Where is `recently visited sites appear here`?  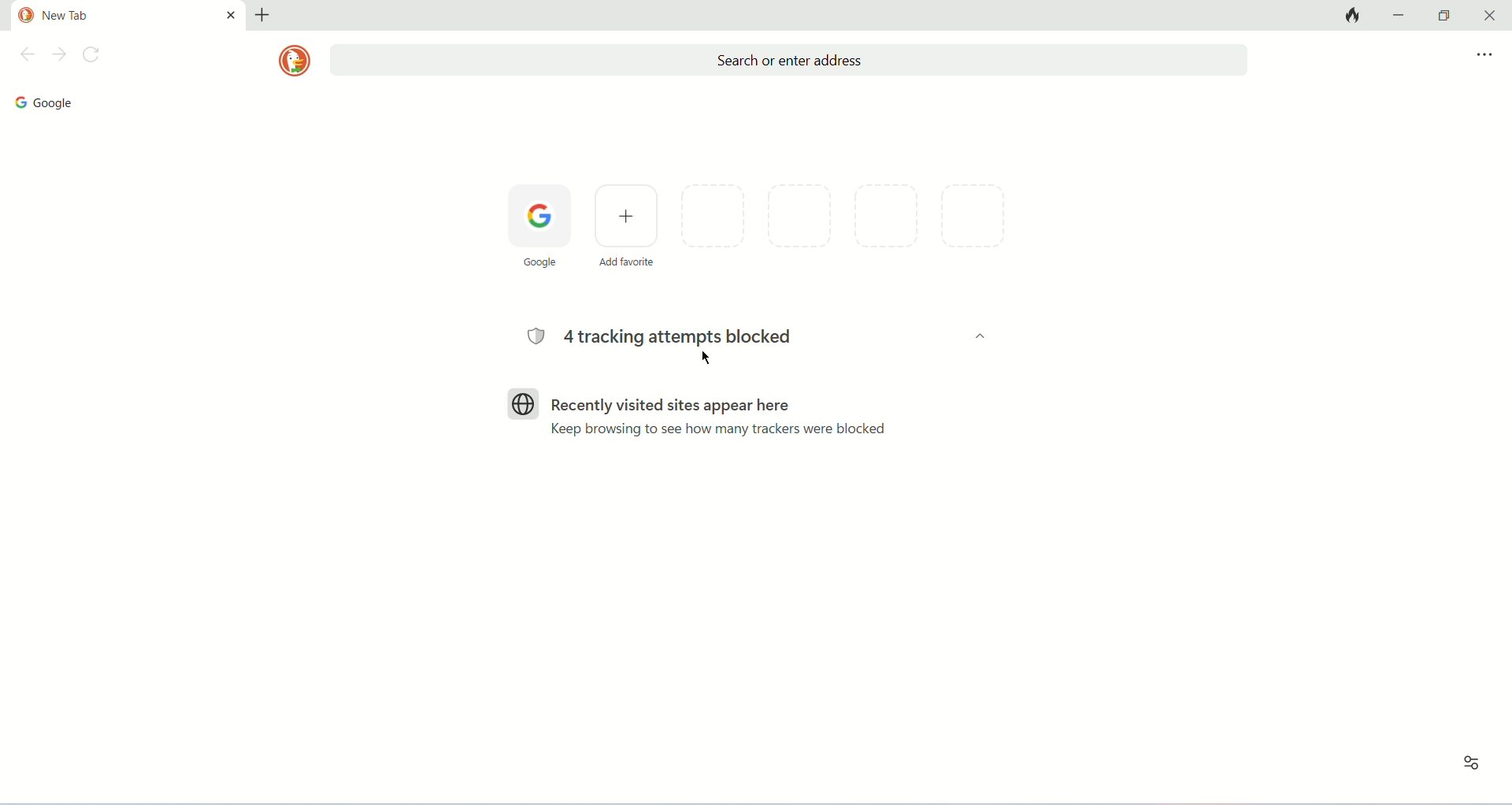
recently visited sites appear here is located at coordinates (647, 404).